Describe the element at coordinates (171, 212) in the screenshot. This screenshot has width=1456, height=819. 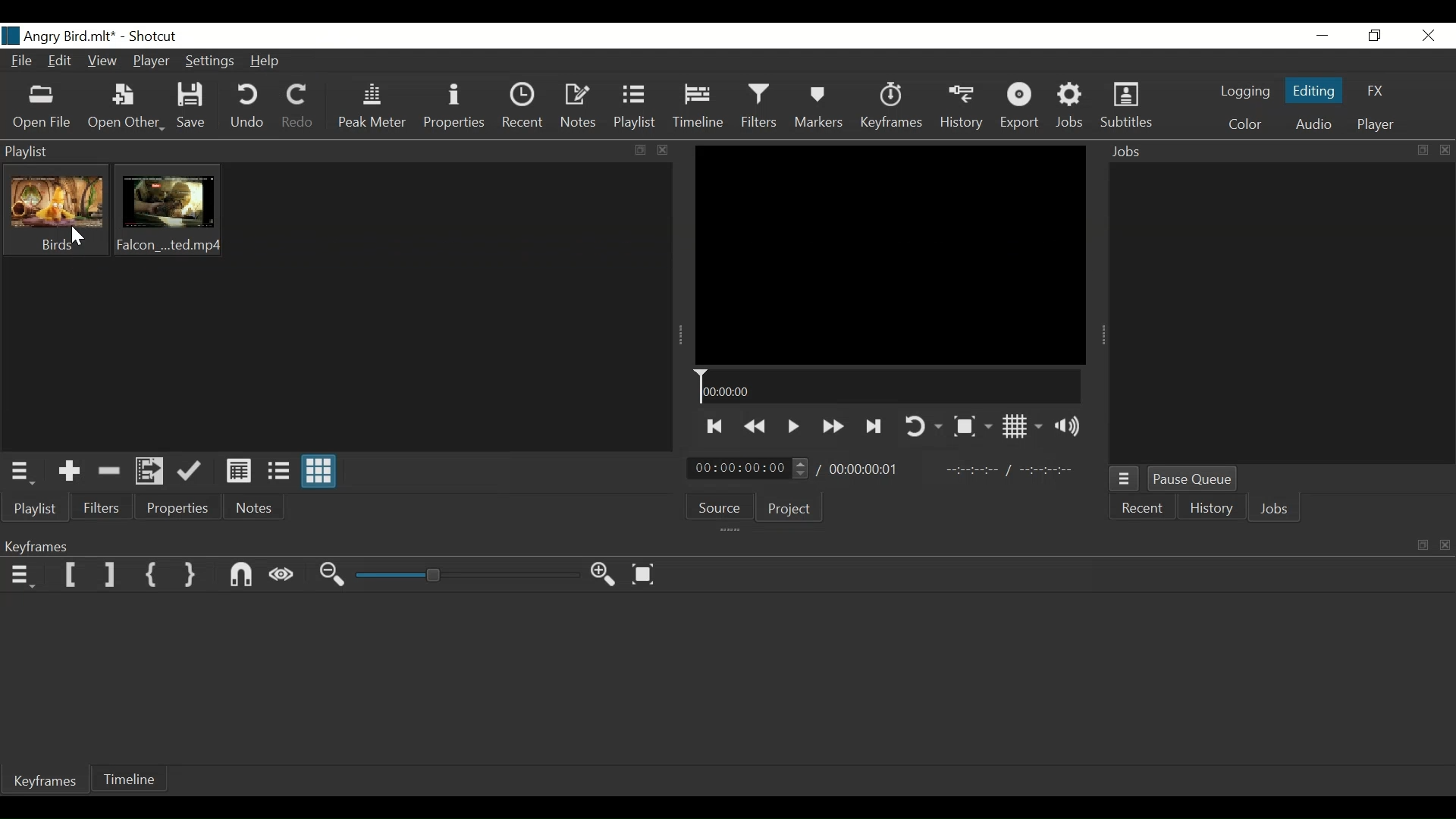
I see `Clip` at that location.